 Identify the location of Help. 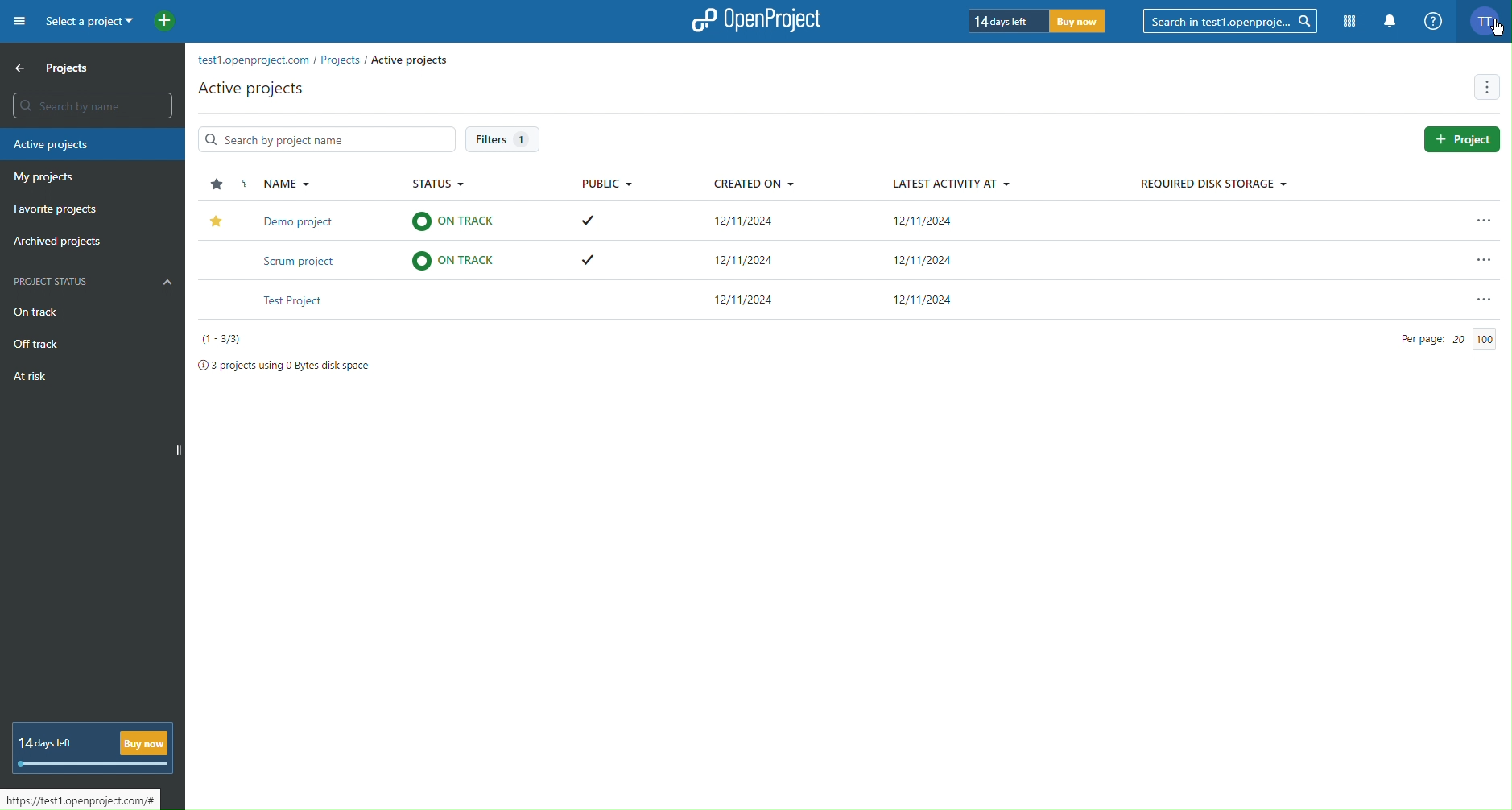
(1433, 22).